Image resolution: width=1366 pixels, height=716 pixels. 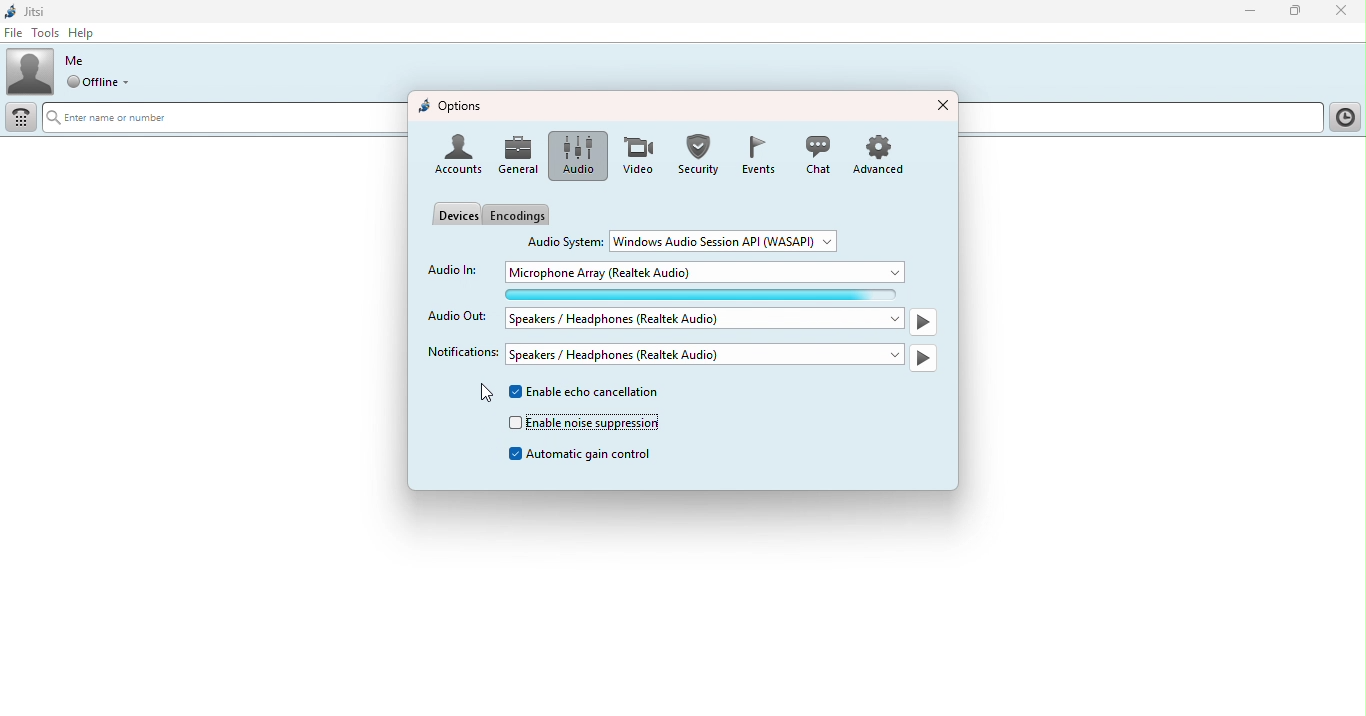 What do you see at coordinates (697, 154) in the screenshot?
I see `Security` at bounding box center [697, 154].